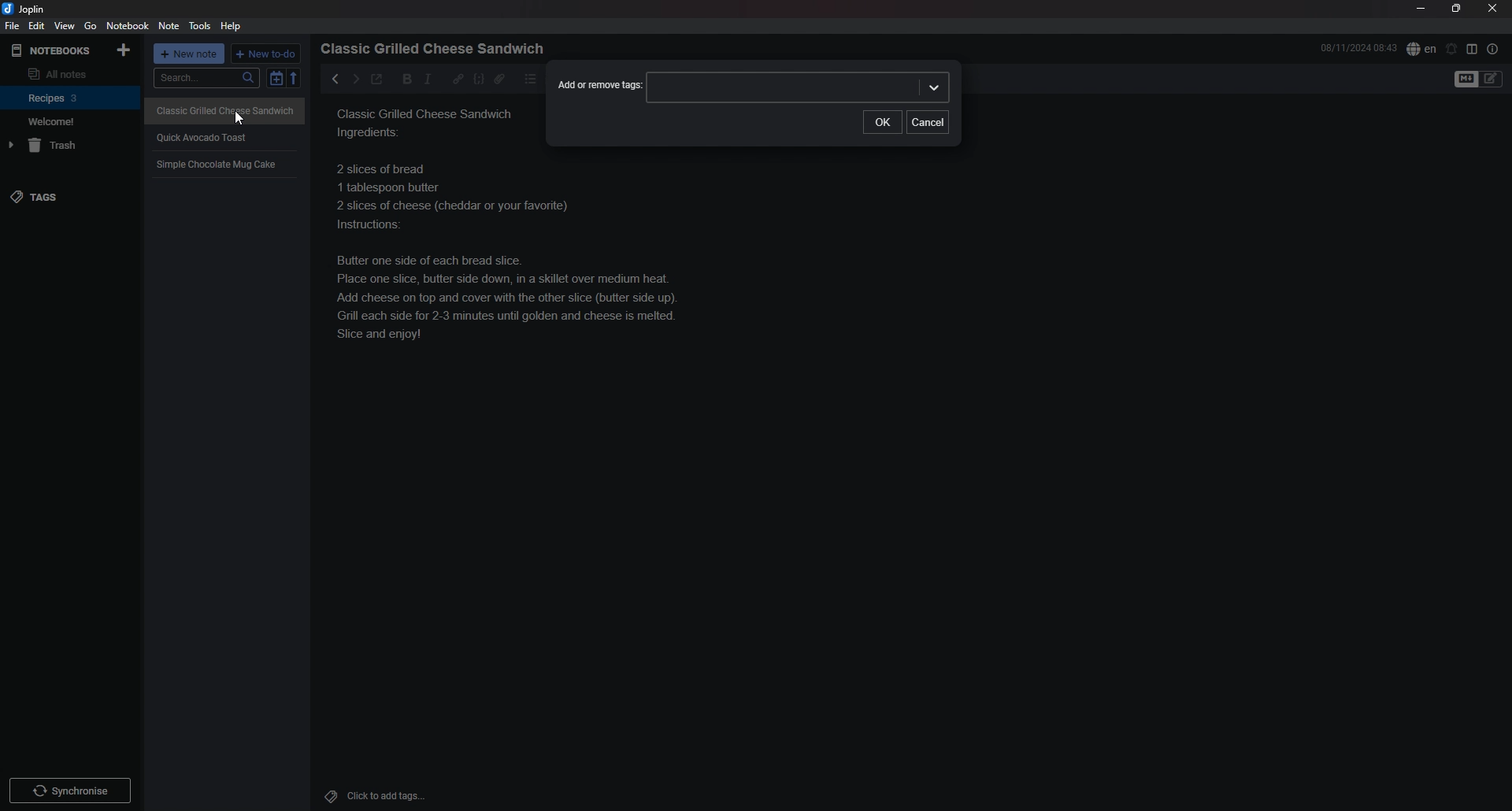 This screenshot has height=811, width=1512. Describe the element at coordinates (499, 79) in the screenshot. I see `attachment` at that location.